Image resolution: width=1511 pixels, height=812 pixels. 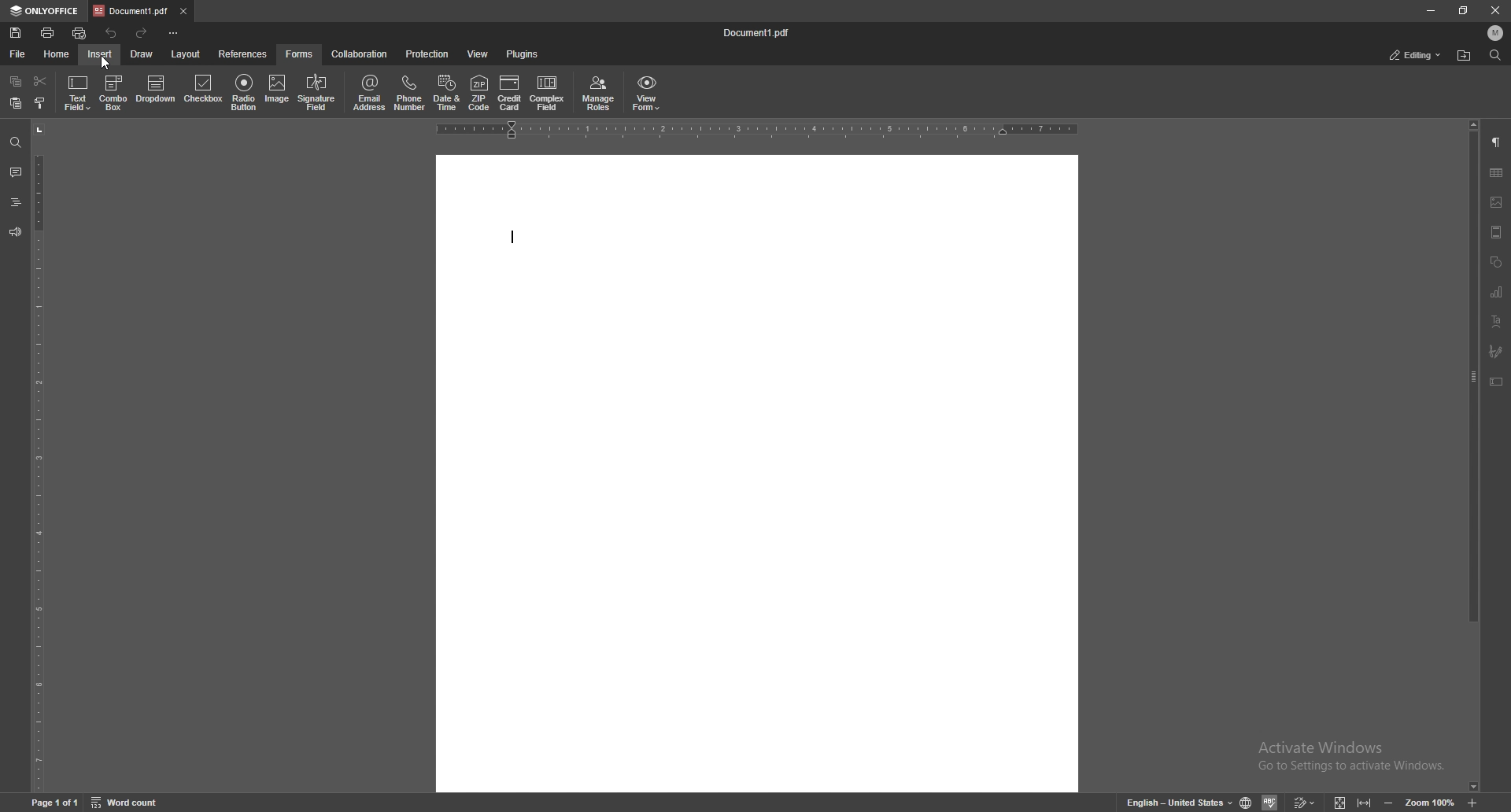 I want to click on customize toolbar, so click(x=172, y=31).